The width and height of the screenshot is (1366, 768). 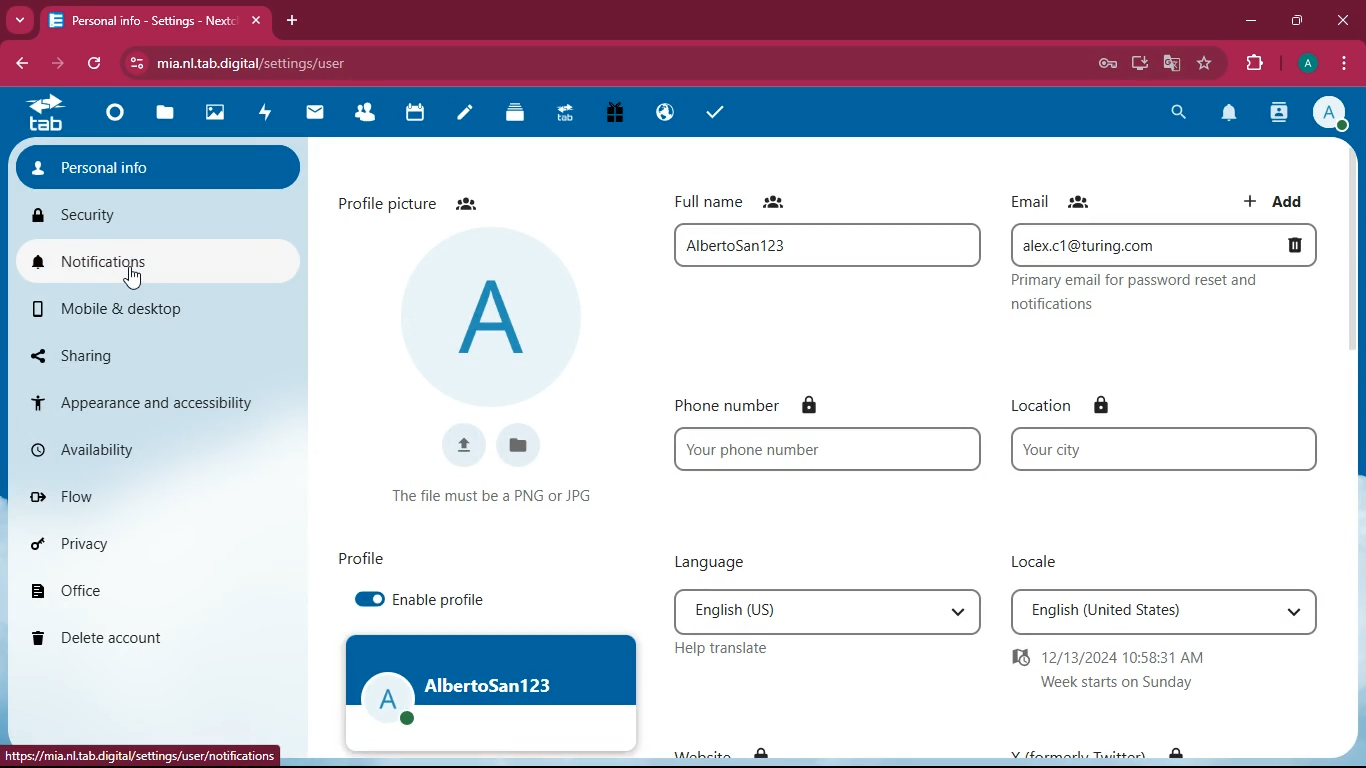 I want to click on tab, so click(x=44, y=115).